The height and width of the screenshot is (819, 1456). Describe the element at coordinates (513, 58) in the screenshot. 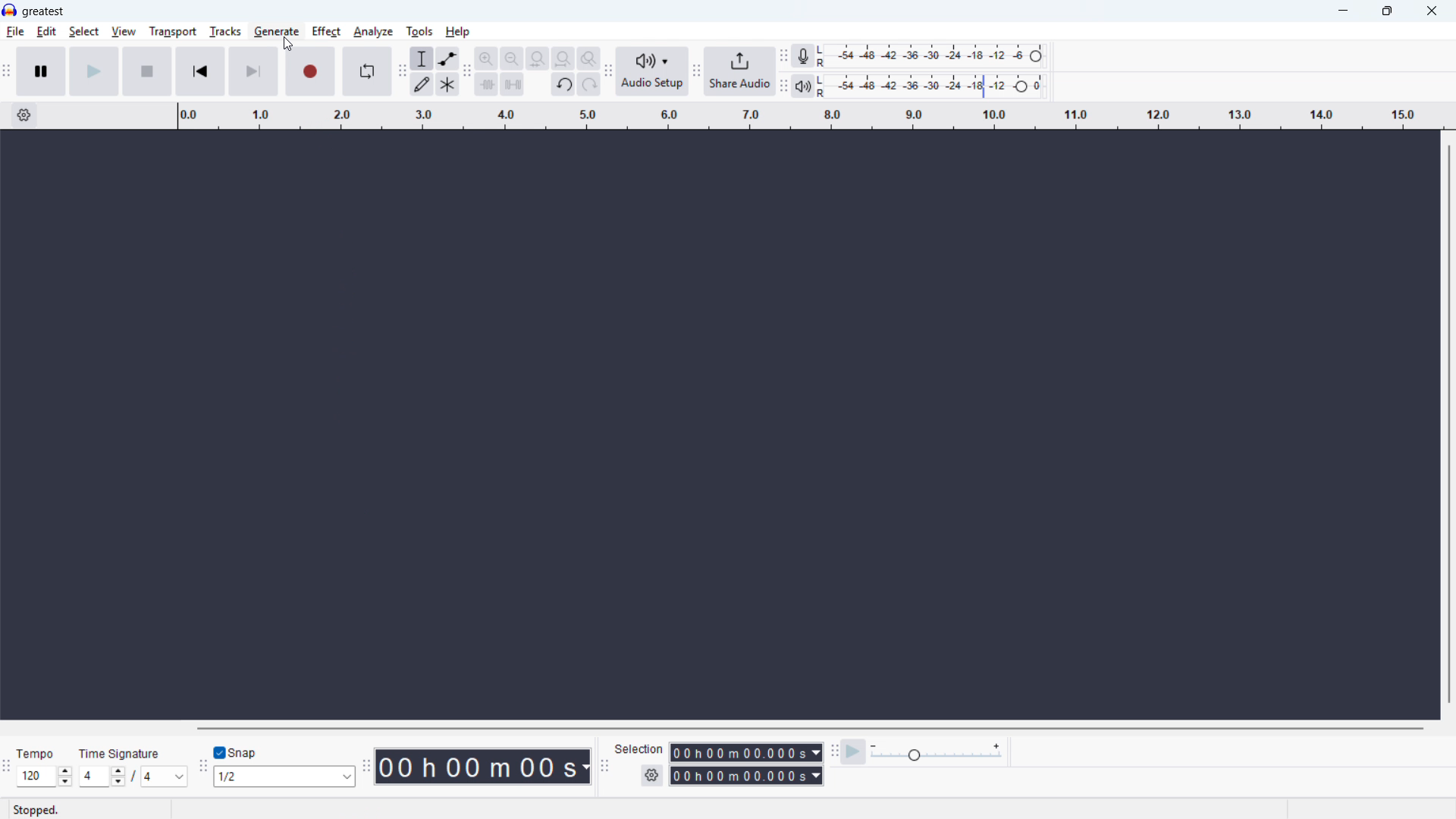

I see `zoom out` at that location.